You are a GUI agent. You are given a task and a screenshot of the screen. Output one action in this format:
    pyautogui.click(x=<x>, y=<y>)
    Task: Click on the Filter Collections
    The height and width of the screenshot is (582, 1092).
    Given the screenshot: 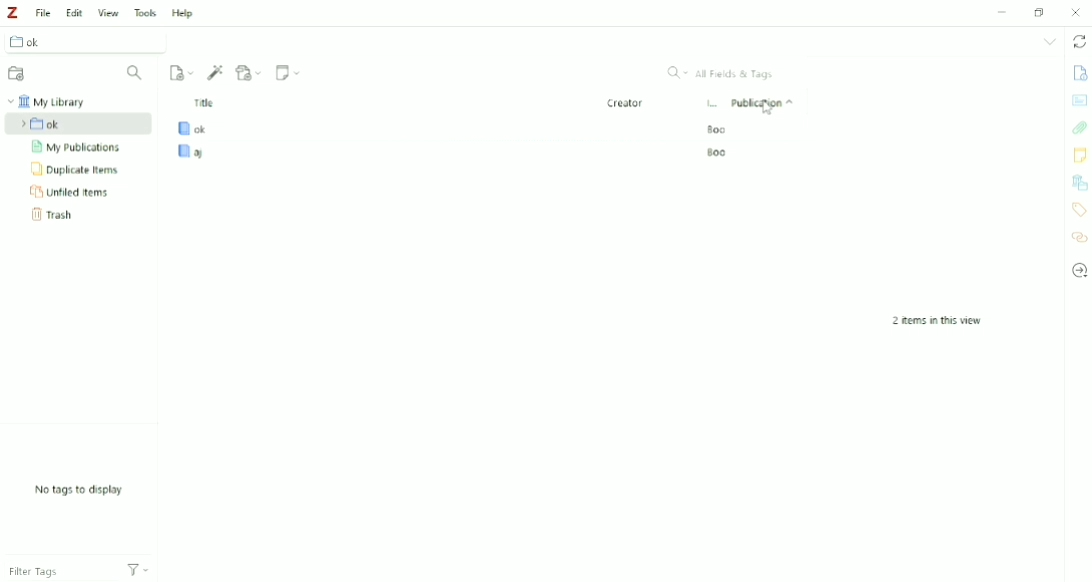 What is the action you would take?
    pyautogui.click(x=136, y=73)
    